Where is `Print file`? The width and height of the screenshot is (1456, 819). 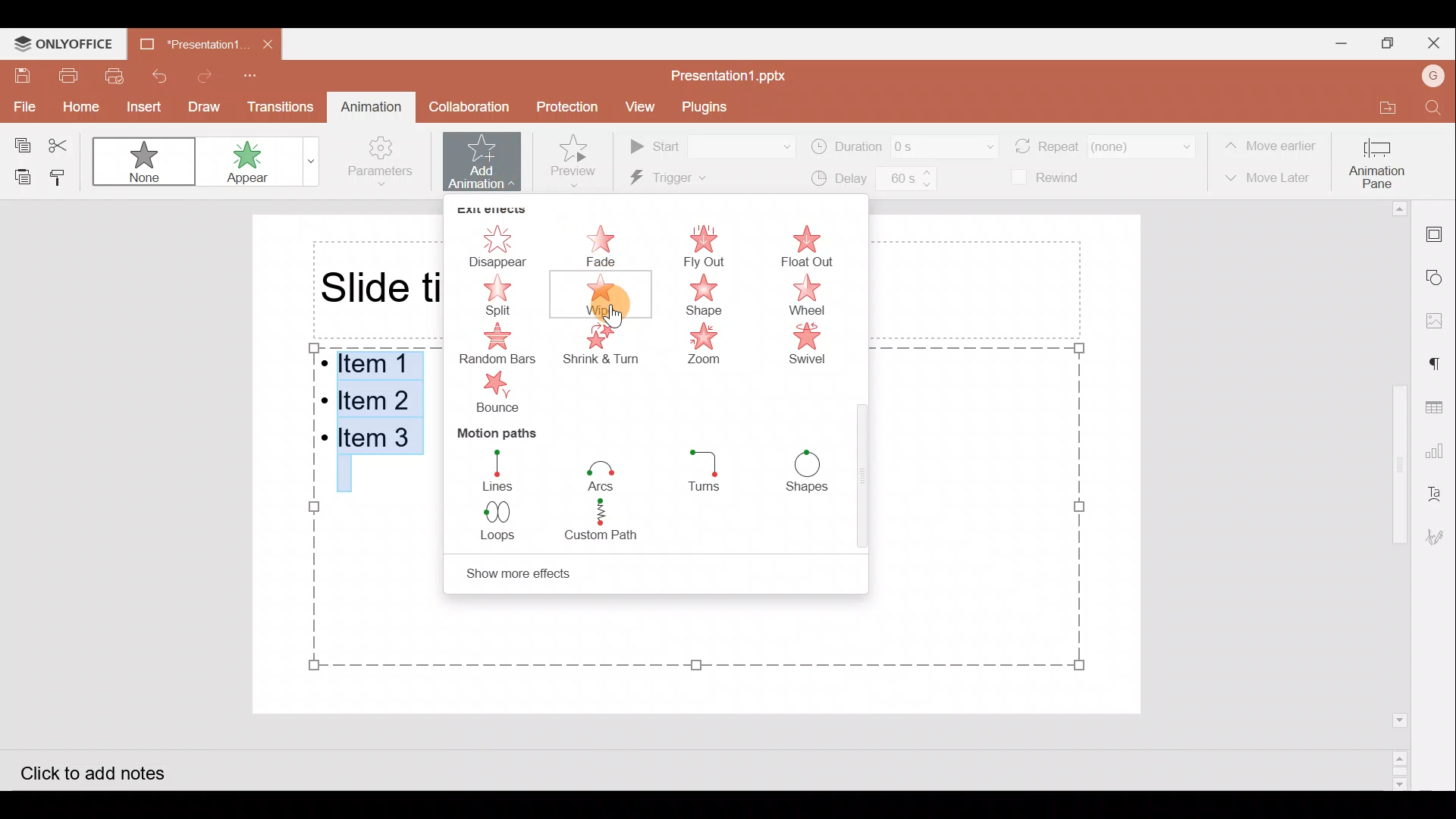 Print file is located at coordinates (67, 73).